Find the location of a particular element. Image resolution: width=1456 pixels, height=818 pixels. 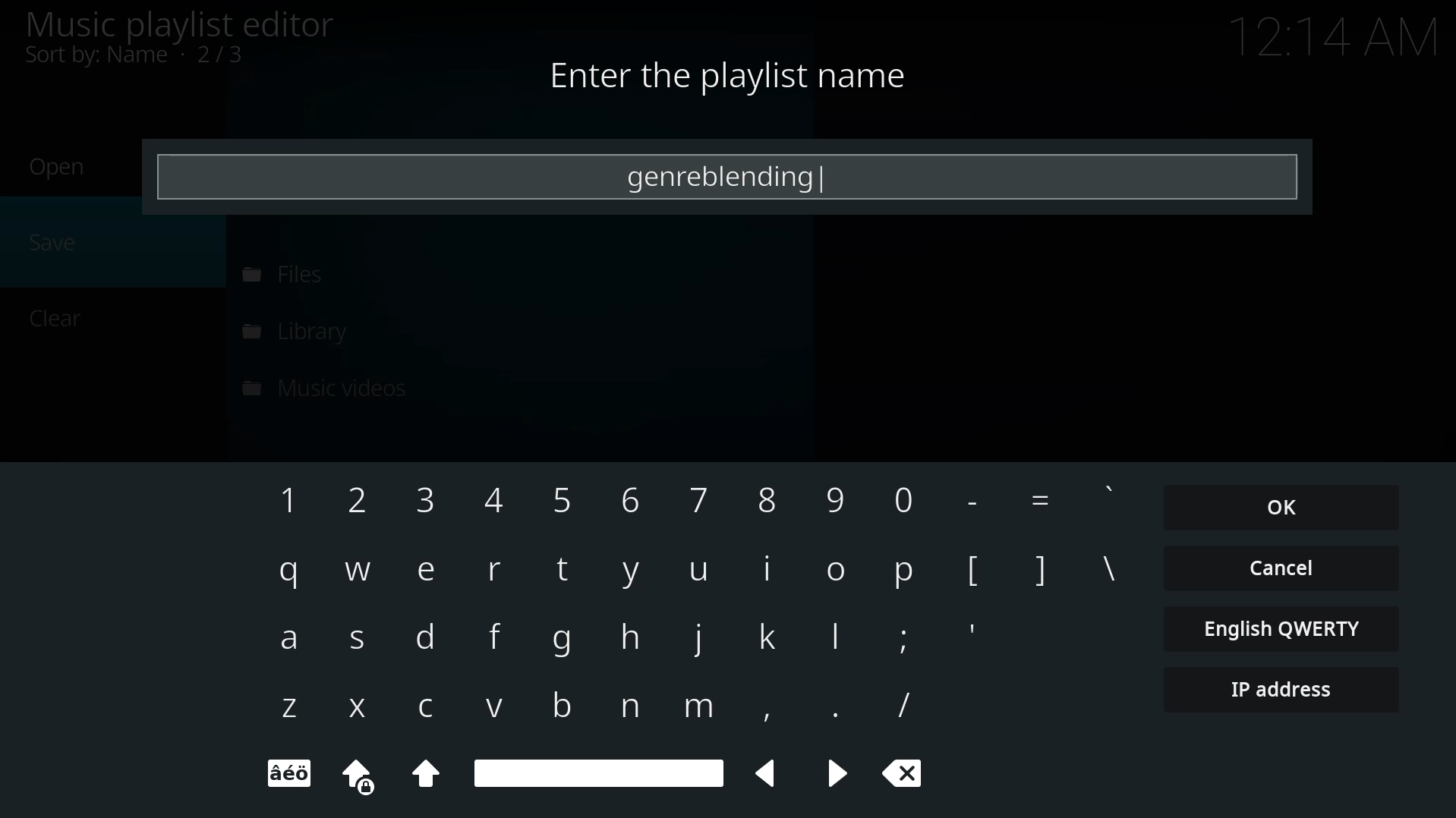

qwerty is located at coordinates (1284, 627).